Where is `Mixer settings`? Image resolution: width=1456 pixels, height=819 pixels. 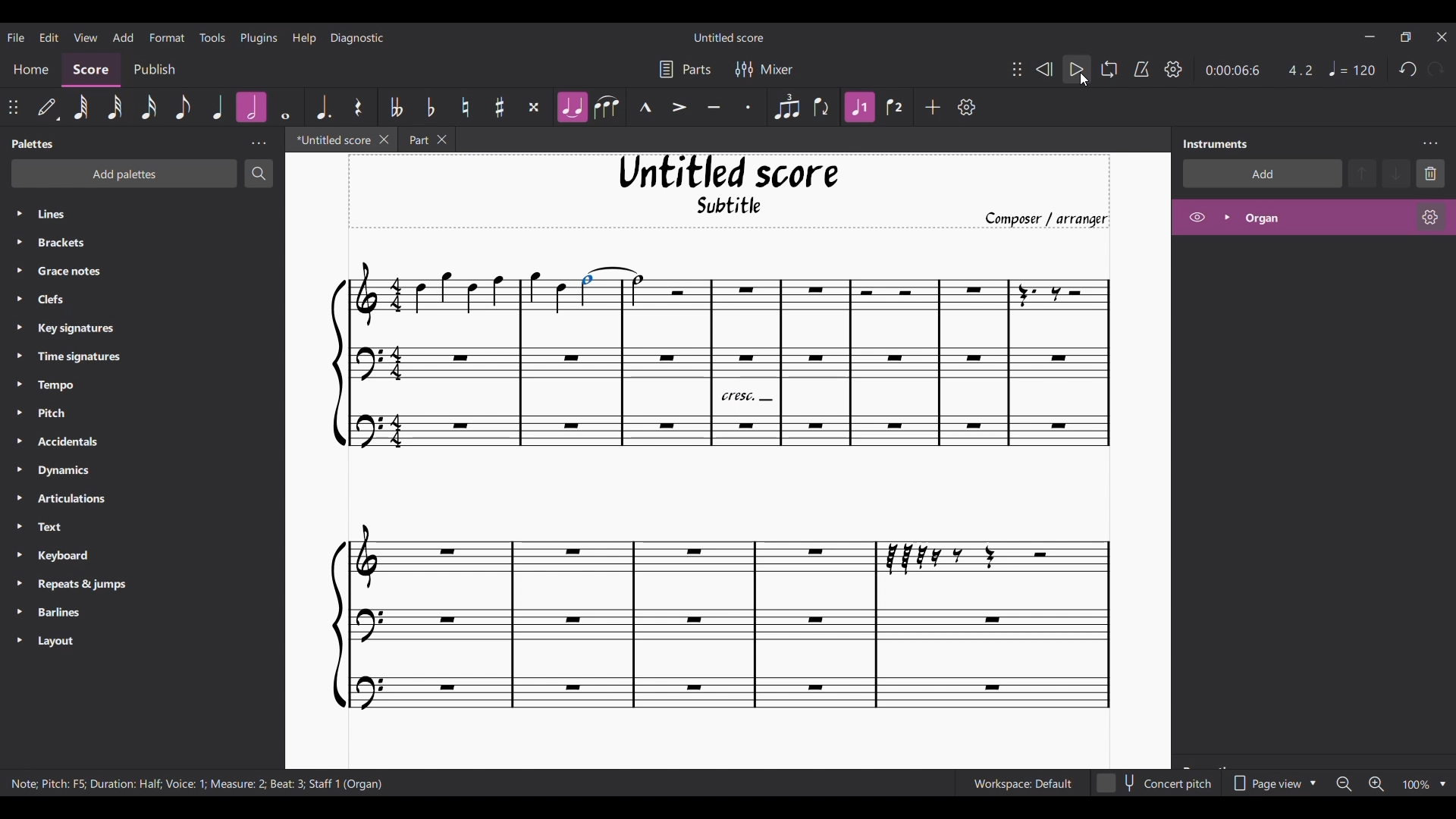
Mixer settings is located at coordinates (764, 70).